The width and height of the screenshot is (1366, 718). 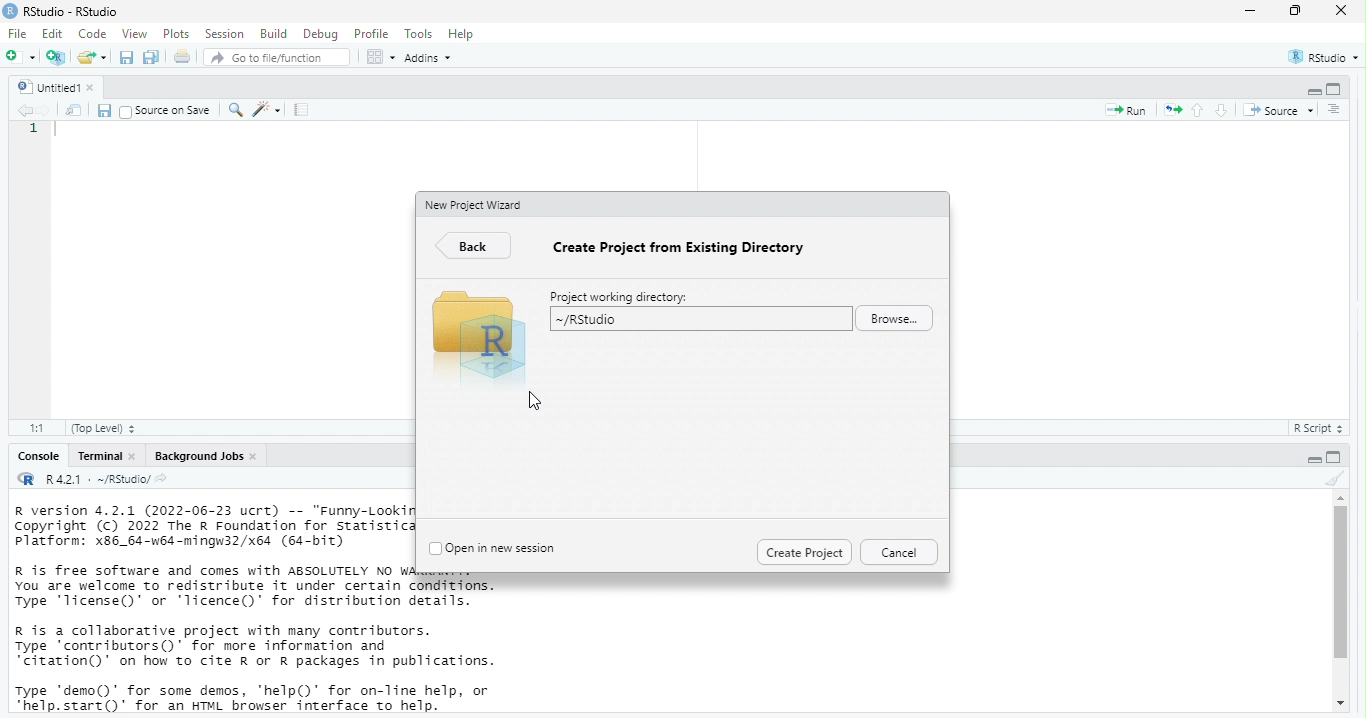 I want to click on untitled, so click(x=41, y=85).